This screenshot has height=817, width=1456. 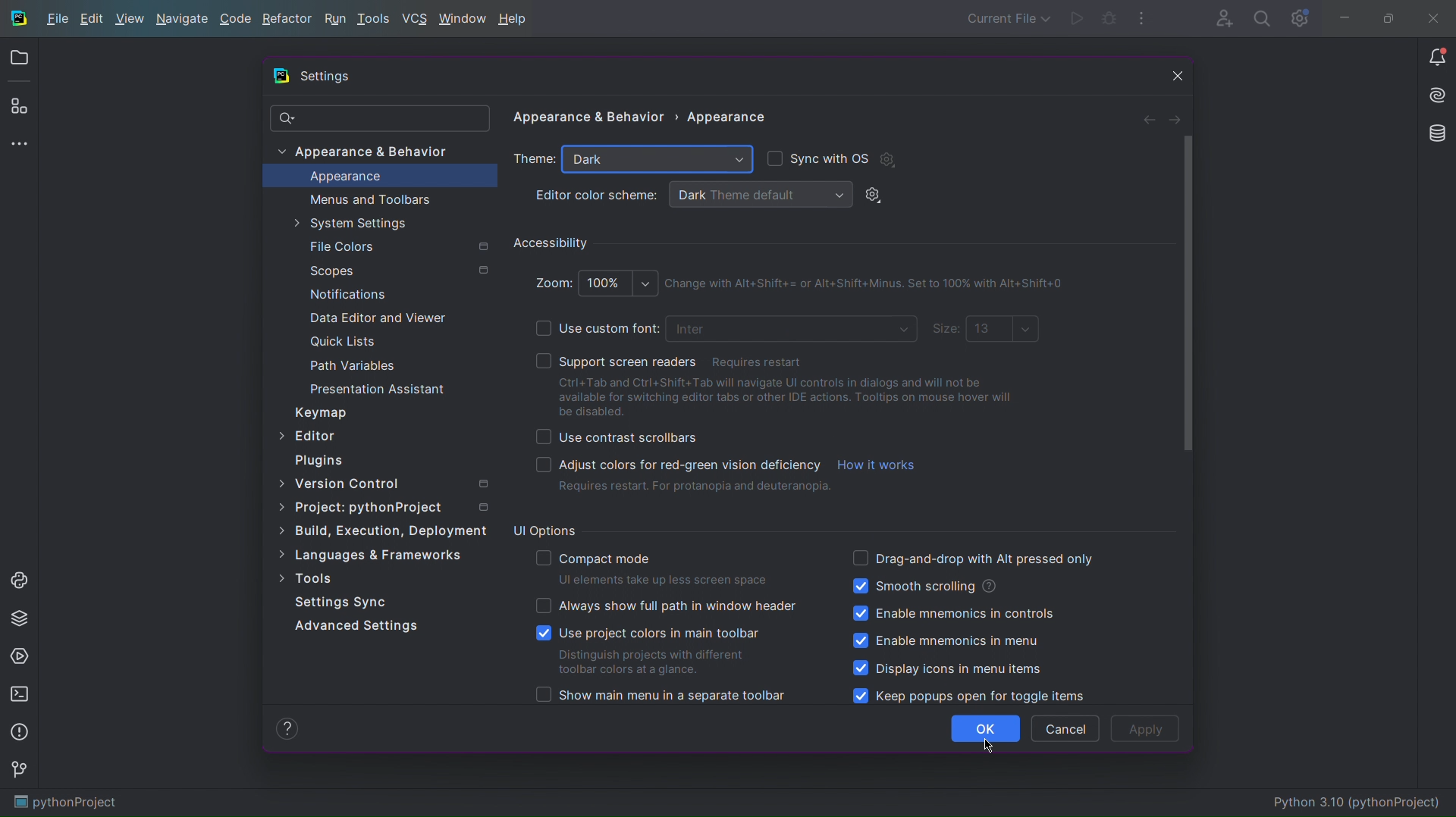 I want to click on More, so click(x=19, y=142).